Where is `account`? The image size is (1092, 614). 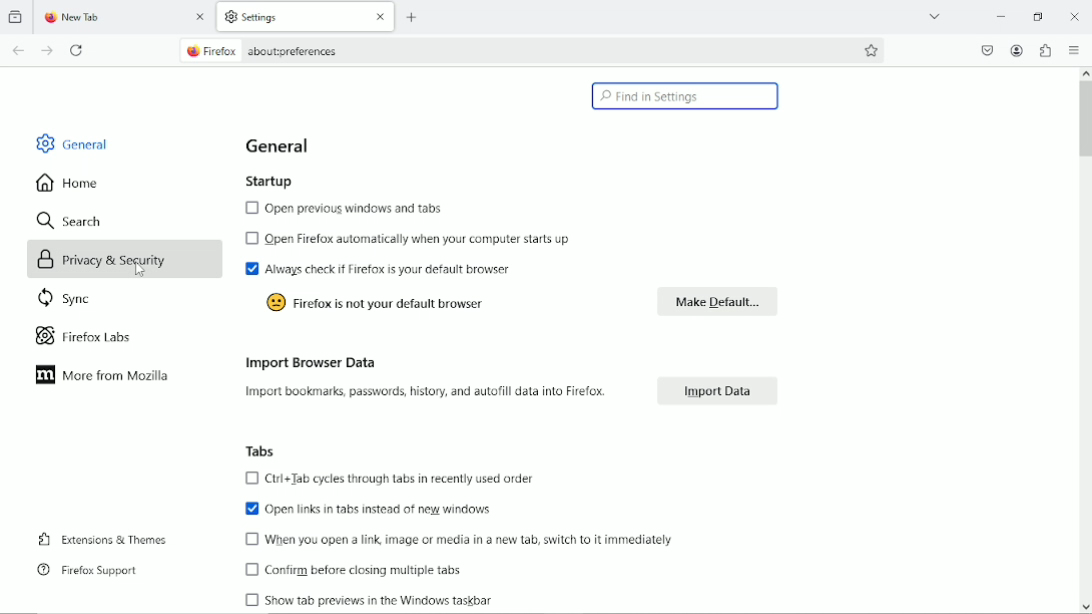 account is located at coordinates (1017, 51).